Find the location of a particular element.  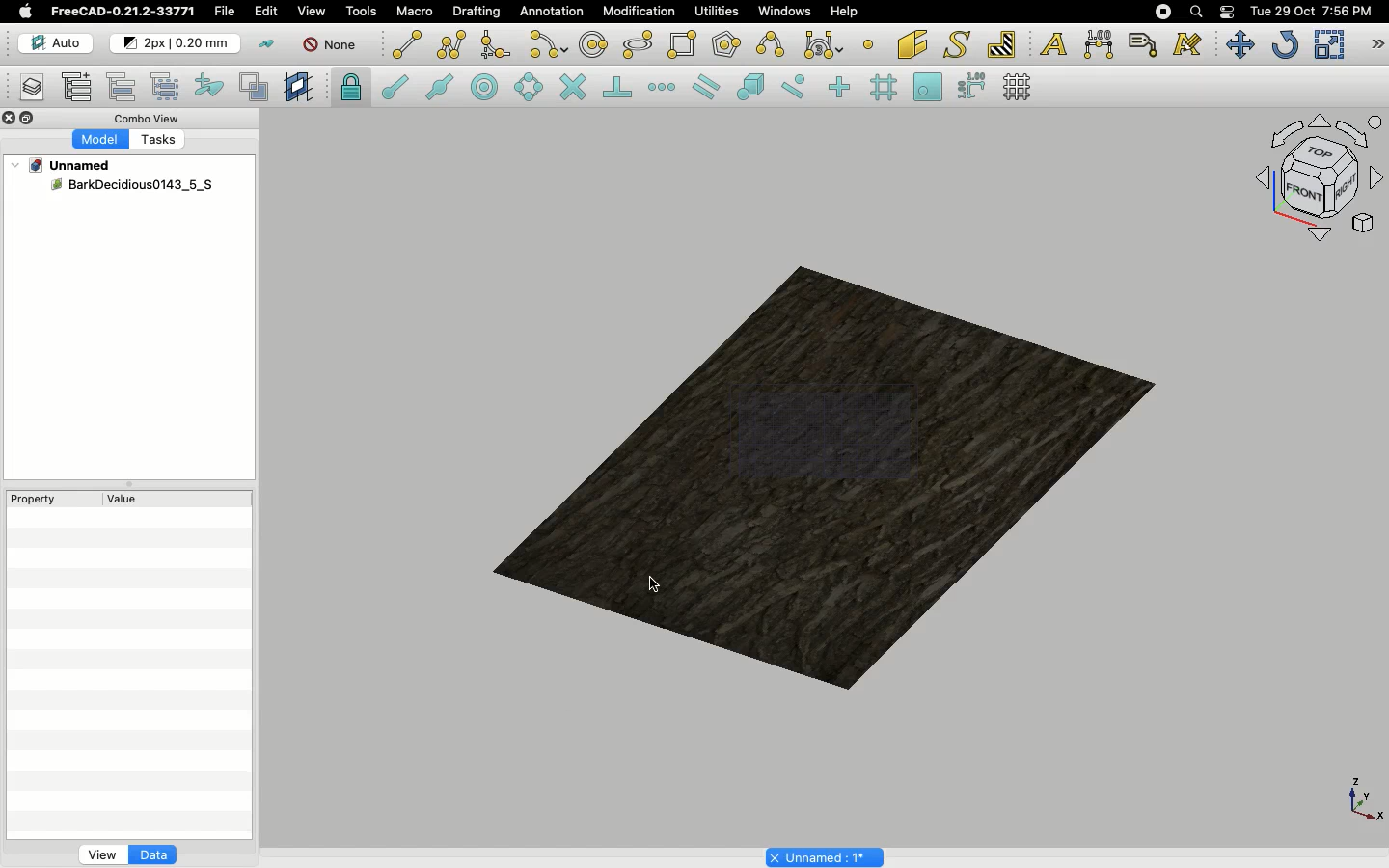

Annotation is located at coordinates (552, 11).